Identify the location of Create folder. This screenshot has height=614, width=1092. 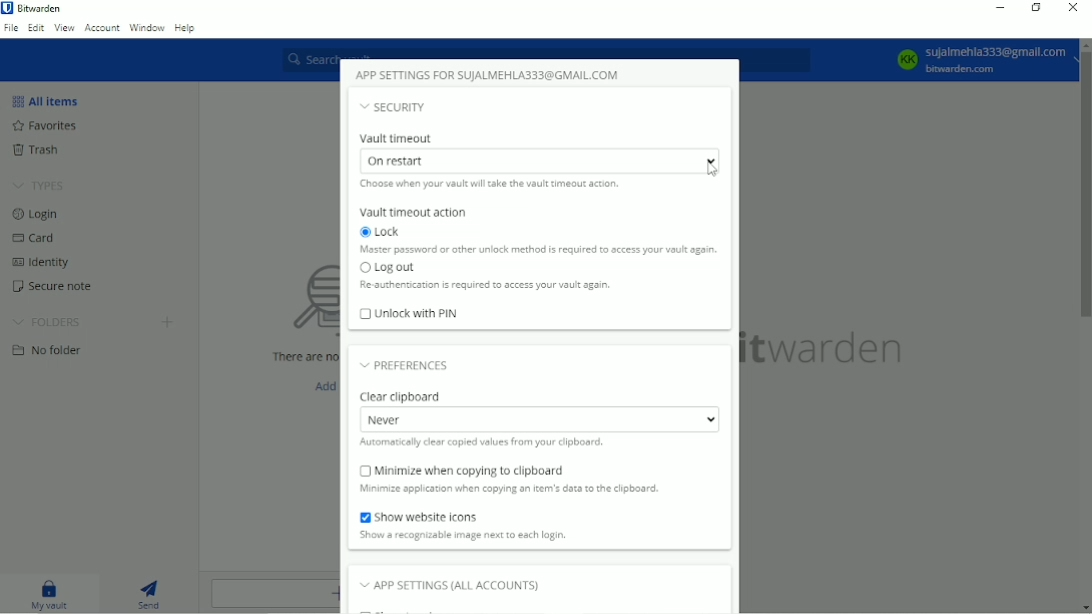
(169, 322).